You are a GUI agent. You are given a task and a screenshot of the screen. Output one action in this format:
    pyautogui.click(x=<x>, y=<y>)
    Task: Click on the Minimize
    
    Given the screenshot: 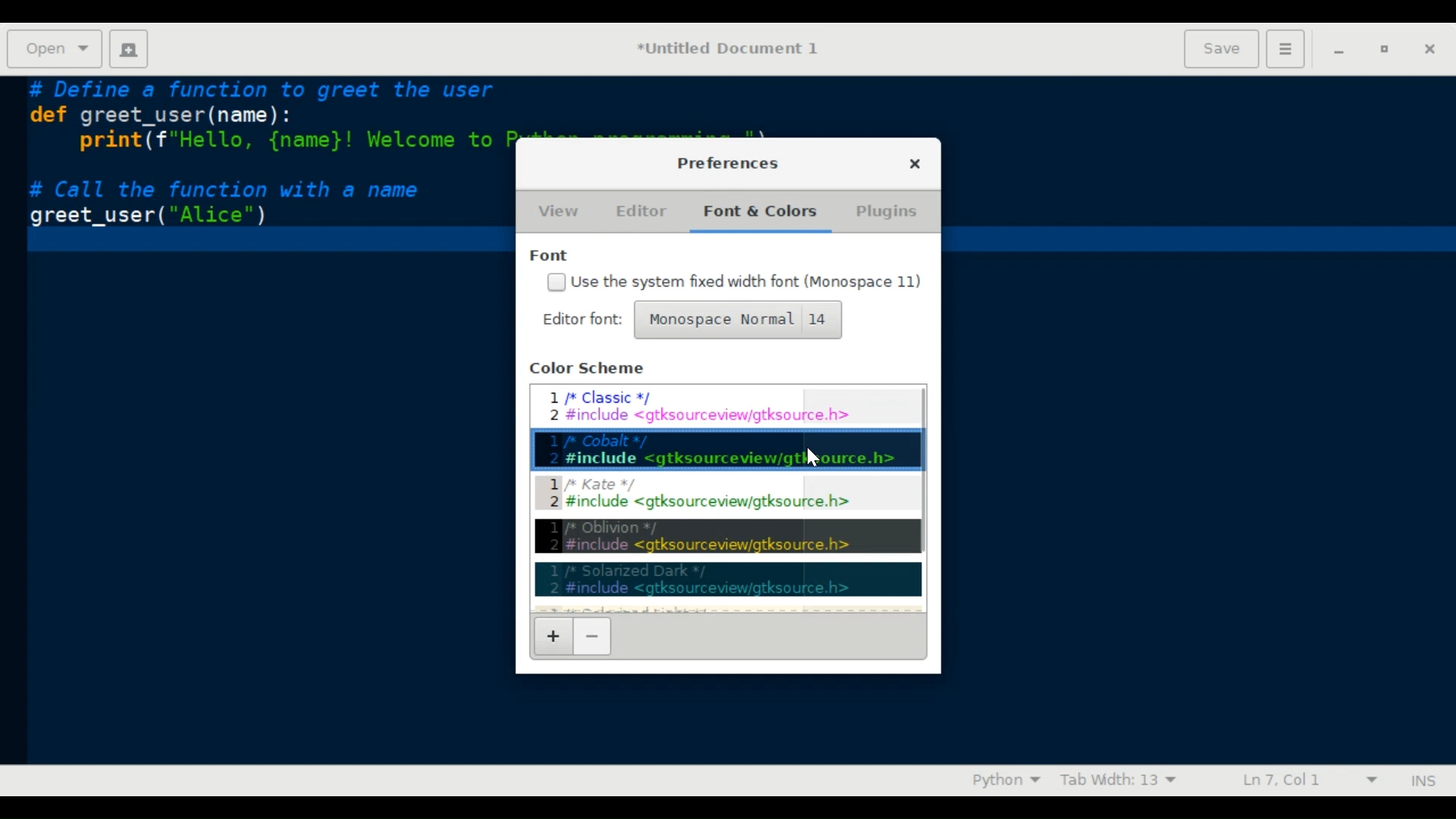 What is the action you would take?
    pyautogui.click(x=1338, y=48)
    